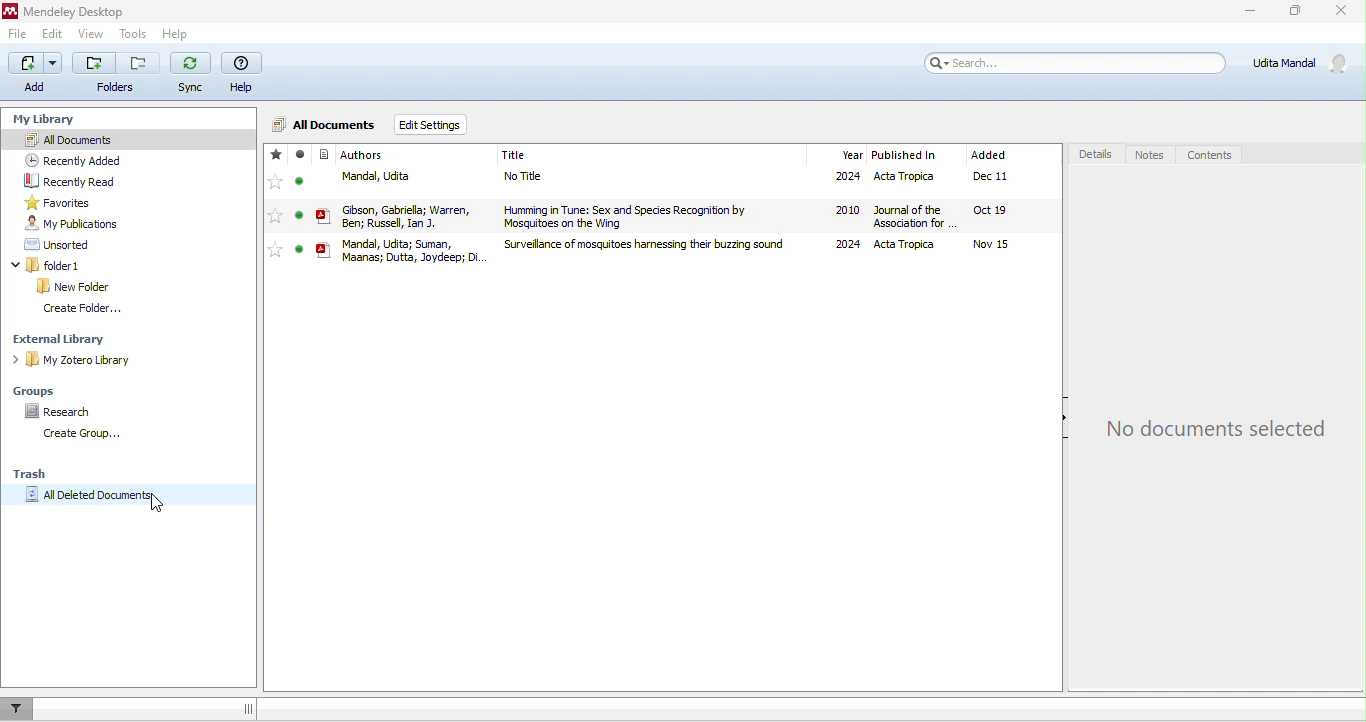  What do you see at coordinates (914, 152) in the screenshot?
I see `published in` at bounding box center [914, 152].